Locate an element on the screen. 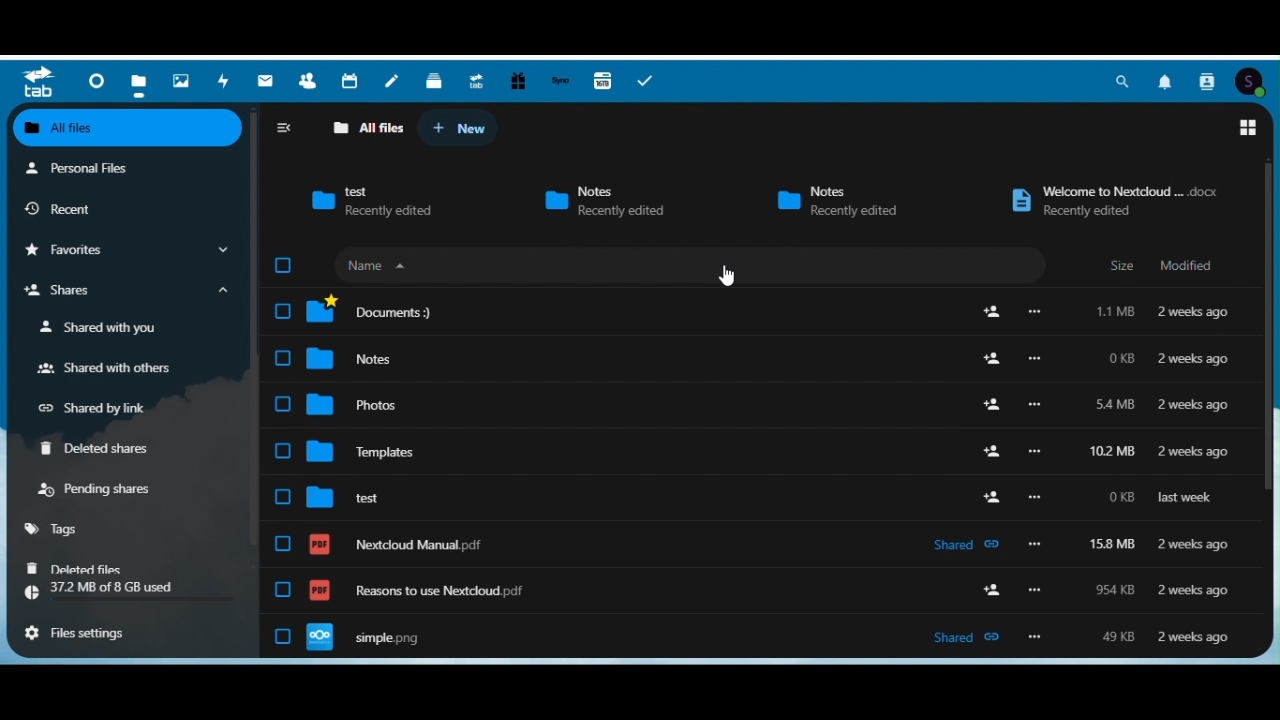  tab is located at coordinates (34, 80).